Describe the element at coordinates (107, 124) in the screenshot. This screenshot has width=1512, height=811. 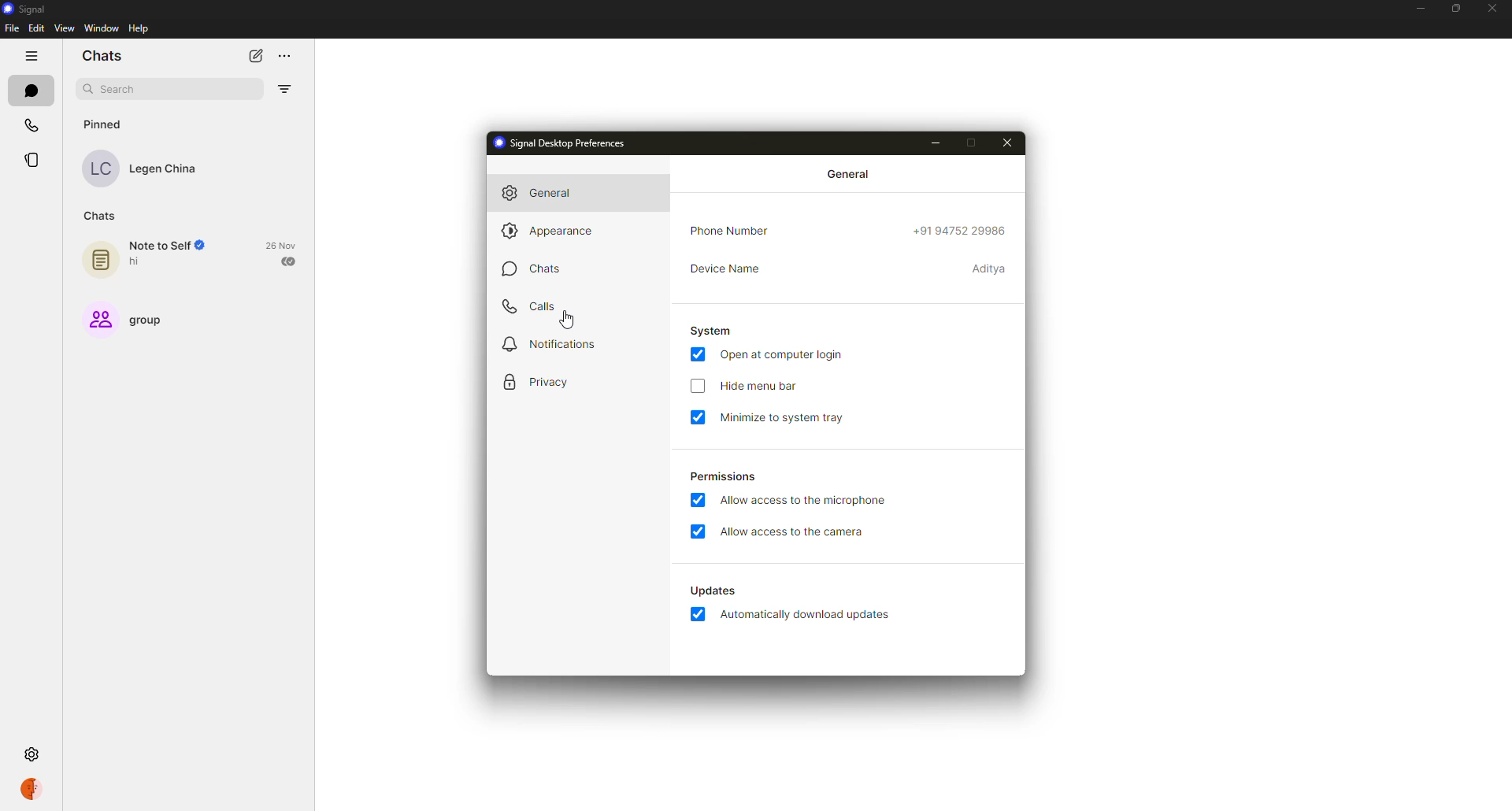
I see `pinned` at that location.